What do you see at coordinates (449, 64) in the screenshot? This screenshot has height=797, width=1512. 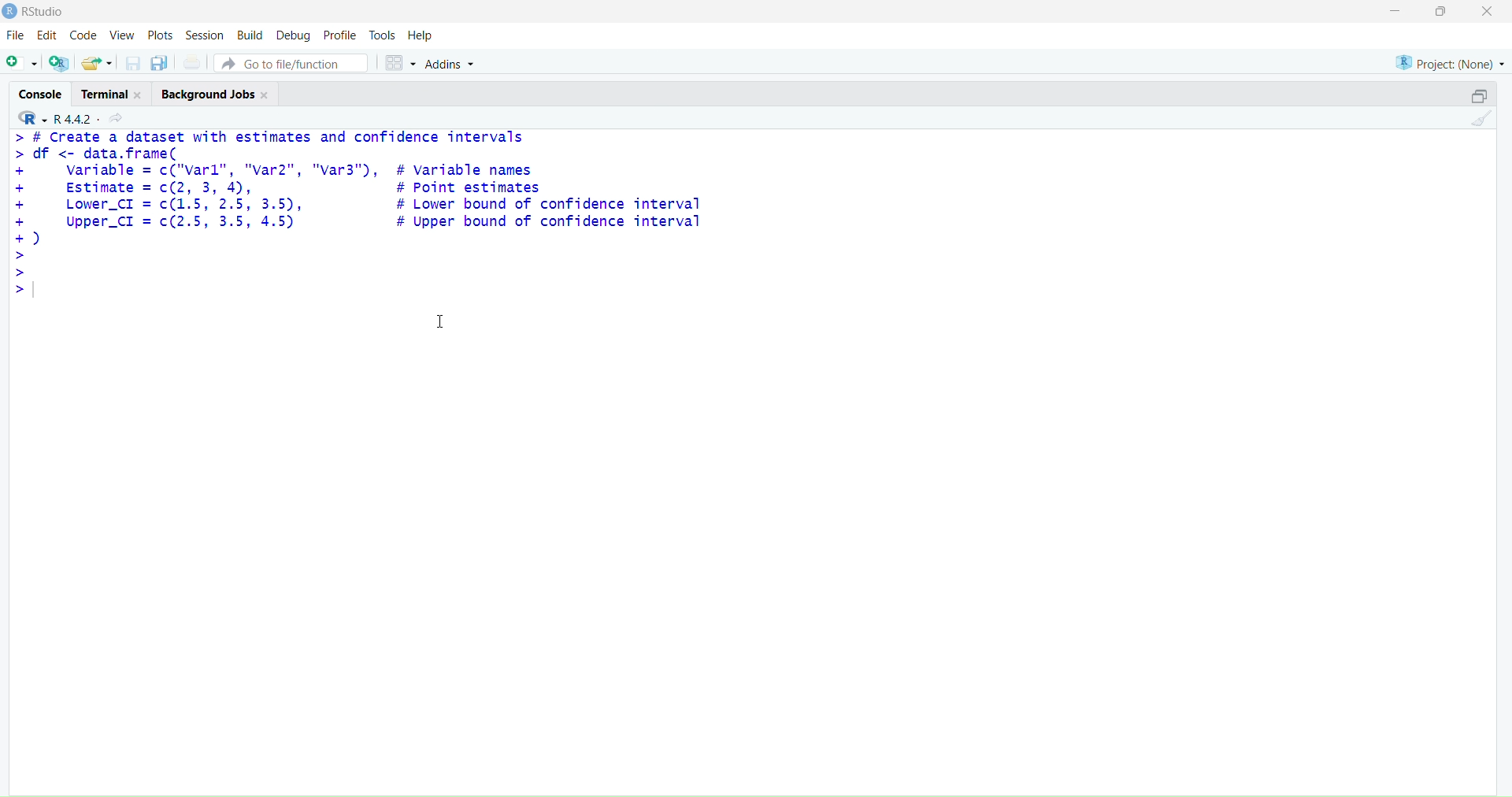 I see `Addins` at bounding box center [449, 64].